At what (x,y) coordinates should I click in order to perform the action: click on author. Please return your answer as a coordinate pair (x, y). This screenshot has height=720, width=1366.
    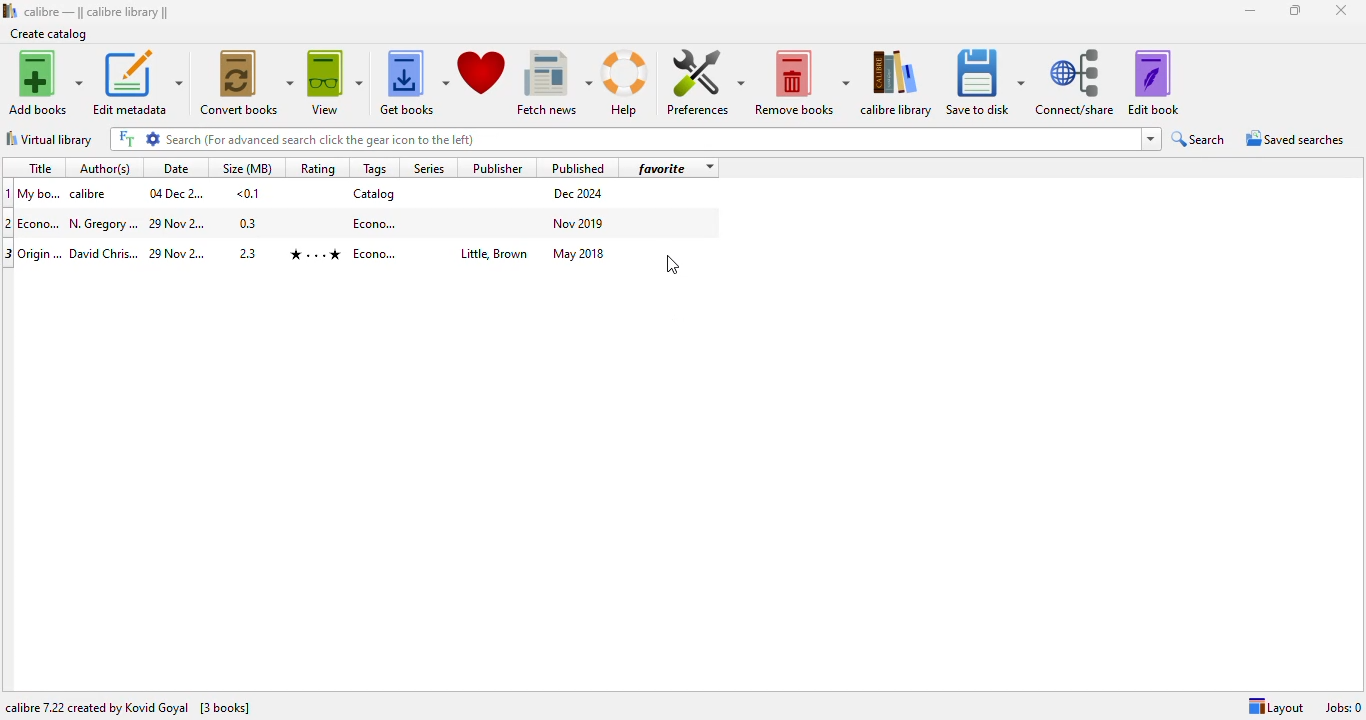
    Looking at the image, I should click on (92, 194).